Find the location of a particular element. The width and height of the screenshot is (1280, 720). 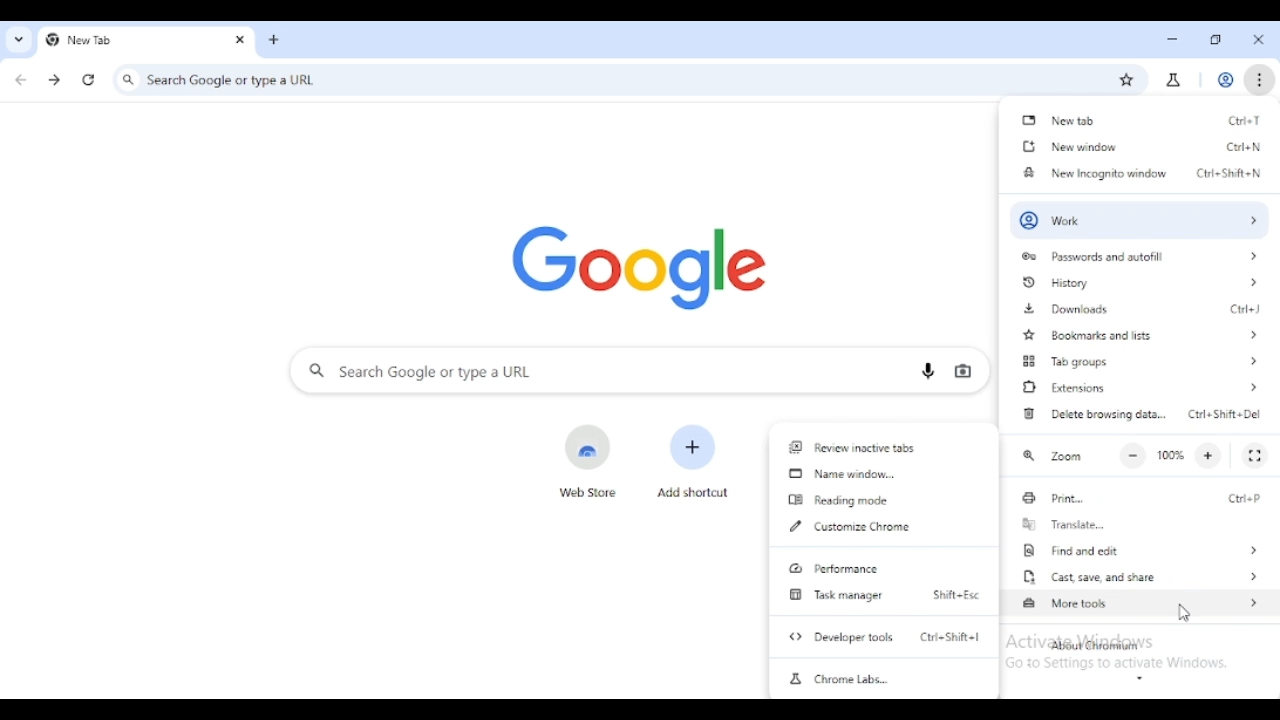

bookmark this tab is located at coordinates (1126, 79).